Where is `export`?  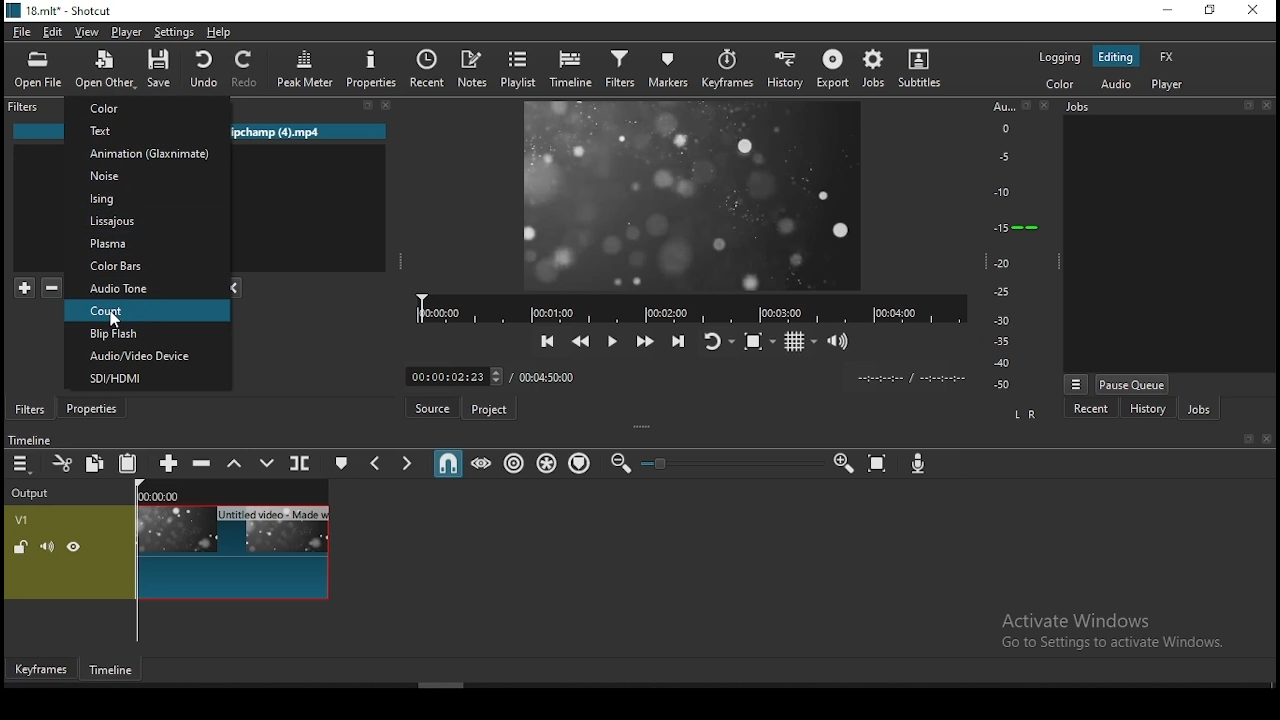
export is located at coordinates (832, 67).